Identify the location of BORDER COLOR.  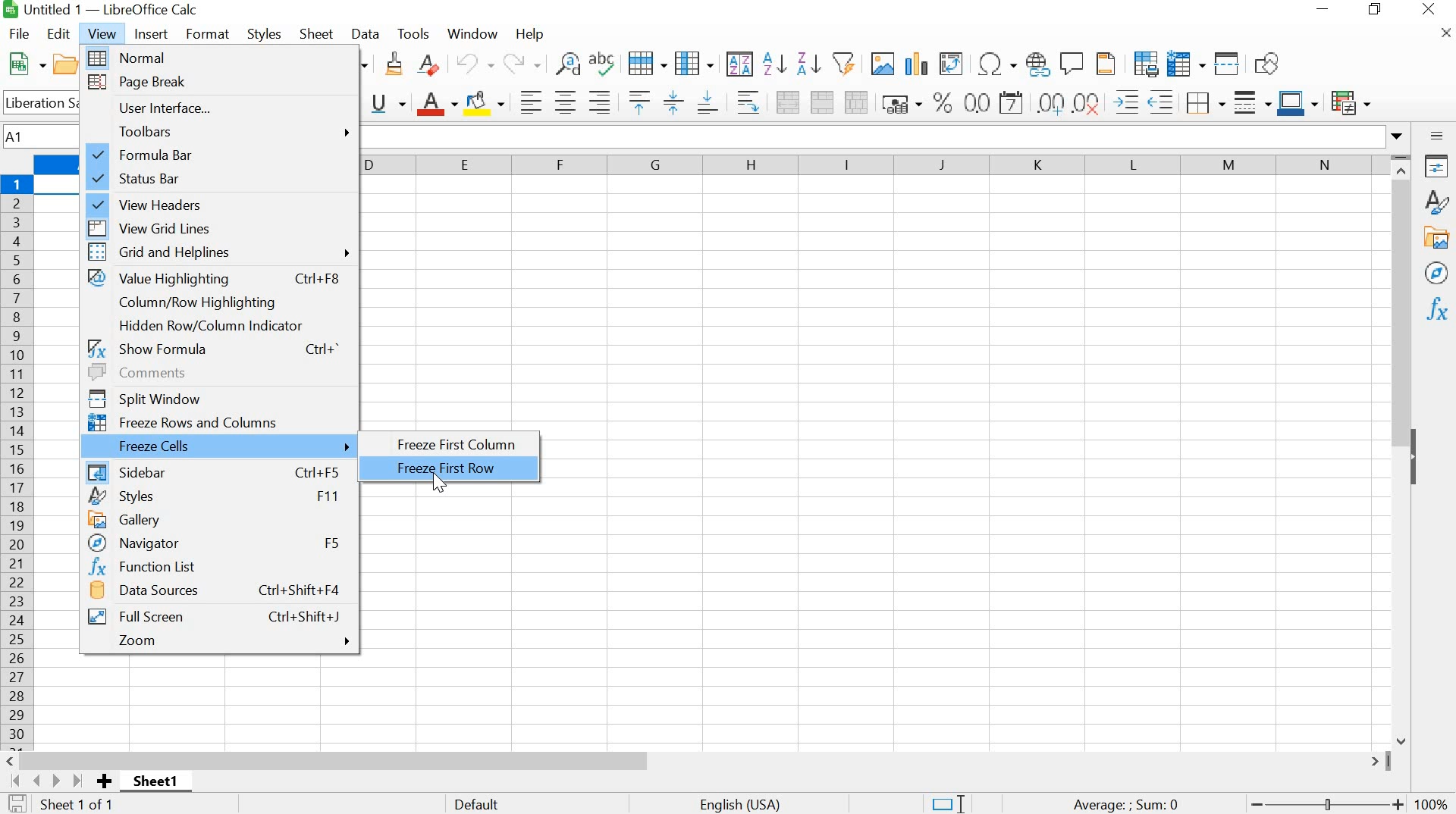
(1297, 101).